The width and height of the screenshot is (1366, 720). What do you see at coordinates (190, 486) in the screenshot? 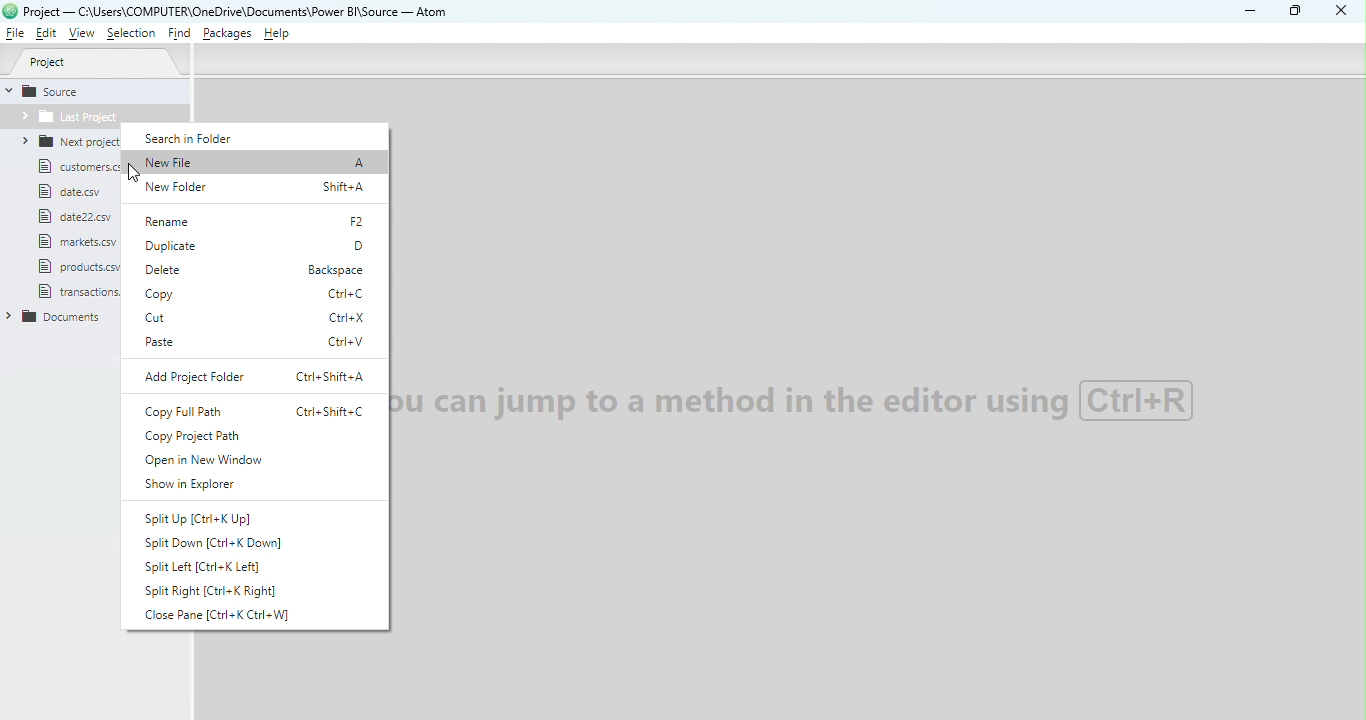
I see `Show in explorer` at bounding box center [190, 486].